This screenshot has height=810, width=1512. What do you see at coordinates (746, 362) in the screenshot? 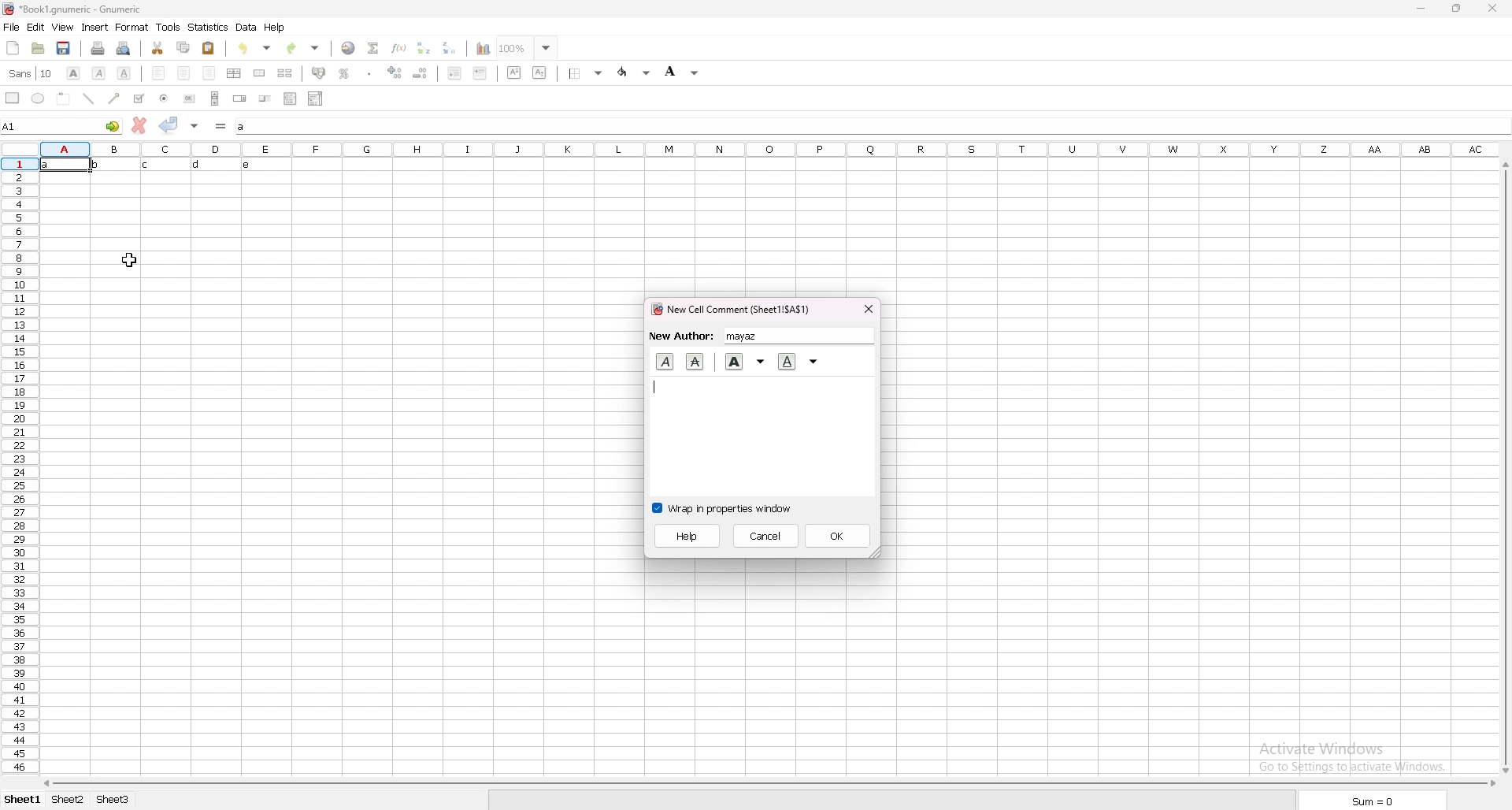
I see `bold` at bounding box center [746, 362].